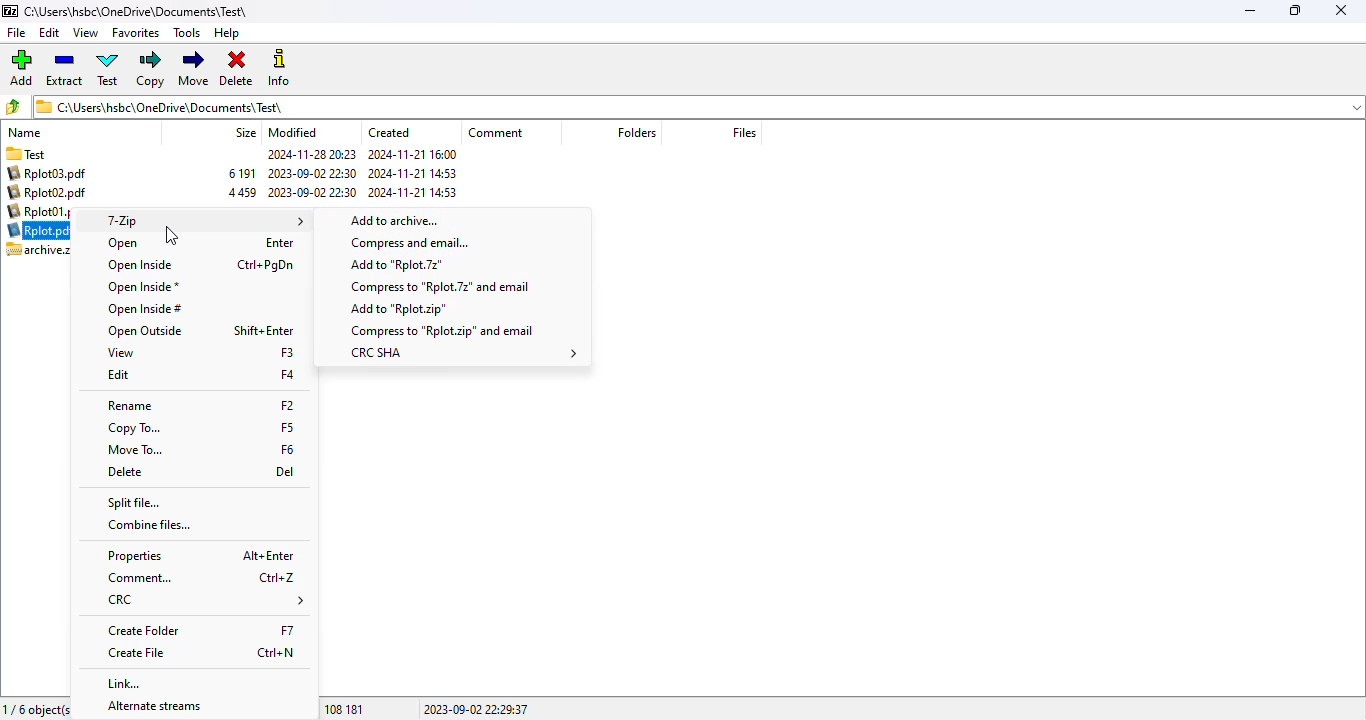 Image resolution: width=1366 pixels, height=720 pixels. I want to click on shortcut for open inside, so click(266, 265).